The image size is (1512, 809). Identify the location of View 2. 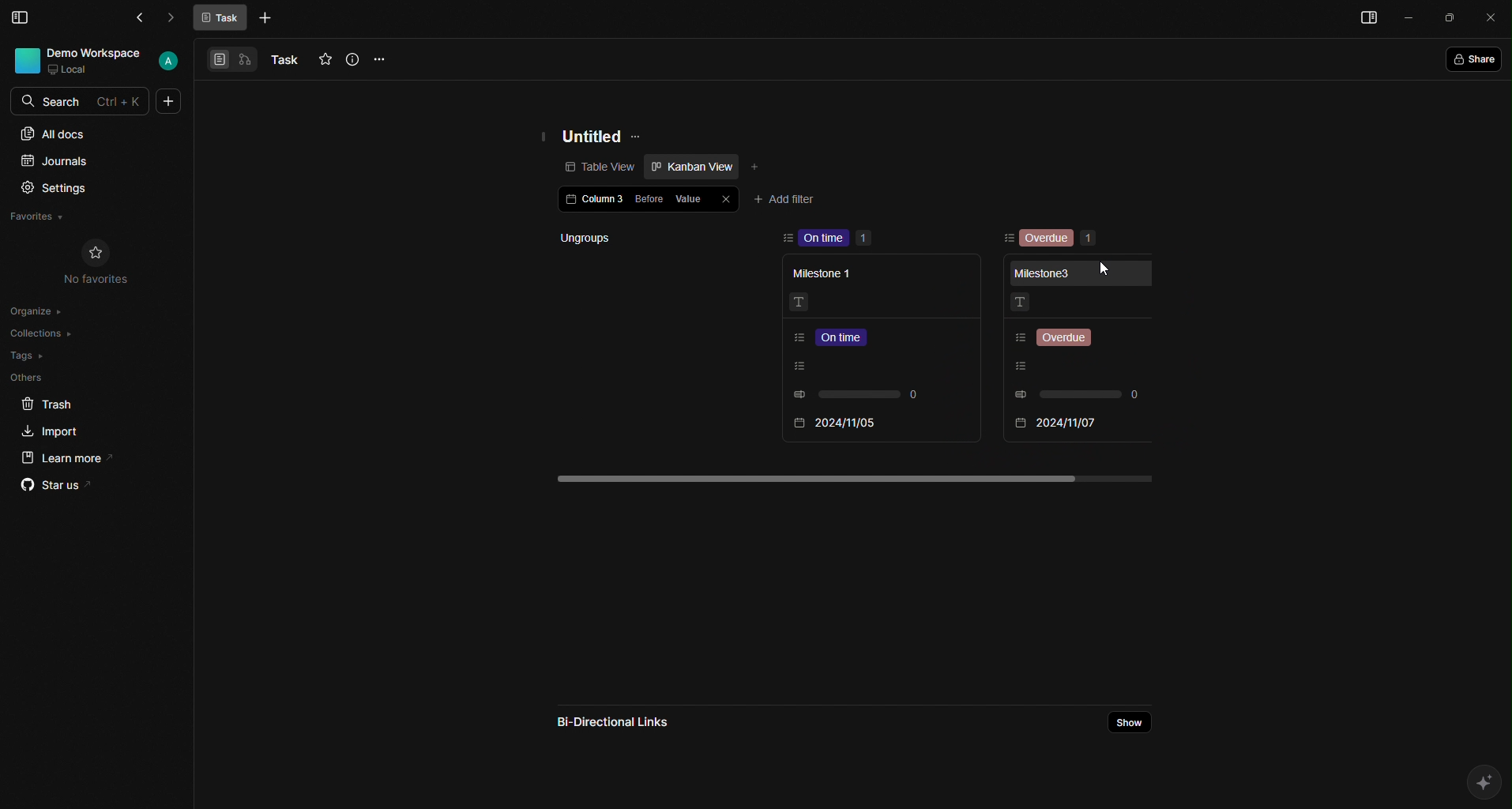
(244, 62).